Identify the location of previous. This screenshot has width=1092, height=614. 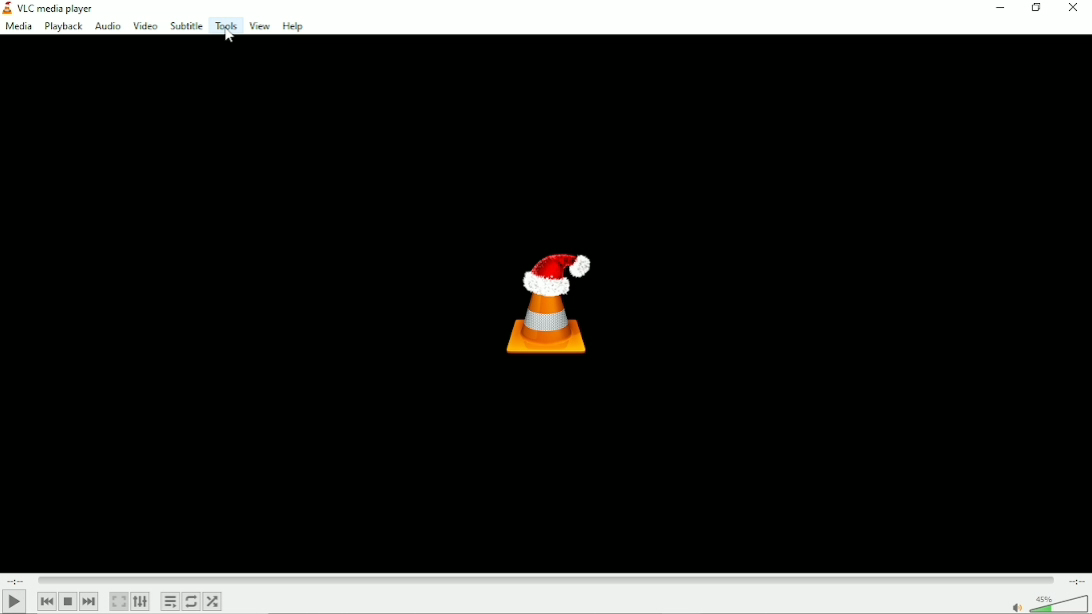
(47, 601).